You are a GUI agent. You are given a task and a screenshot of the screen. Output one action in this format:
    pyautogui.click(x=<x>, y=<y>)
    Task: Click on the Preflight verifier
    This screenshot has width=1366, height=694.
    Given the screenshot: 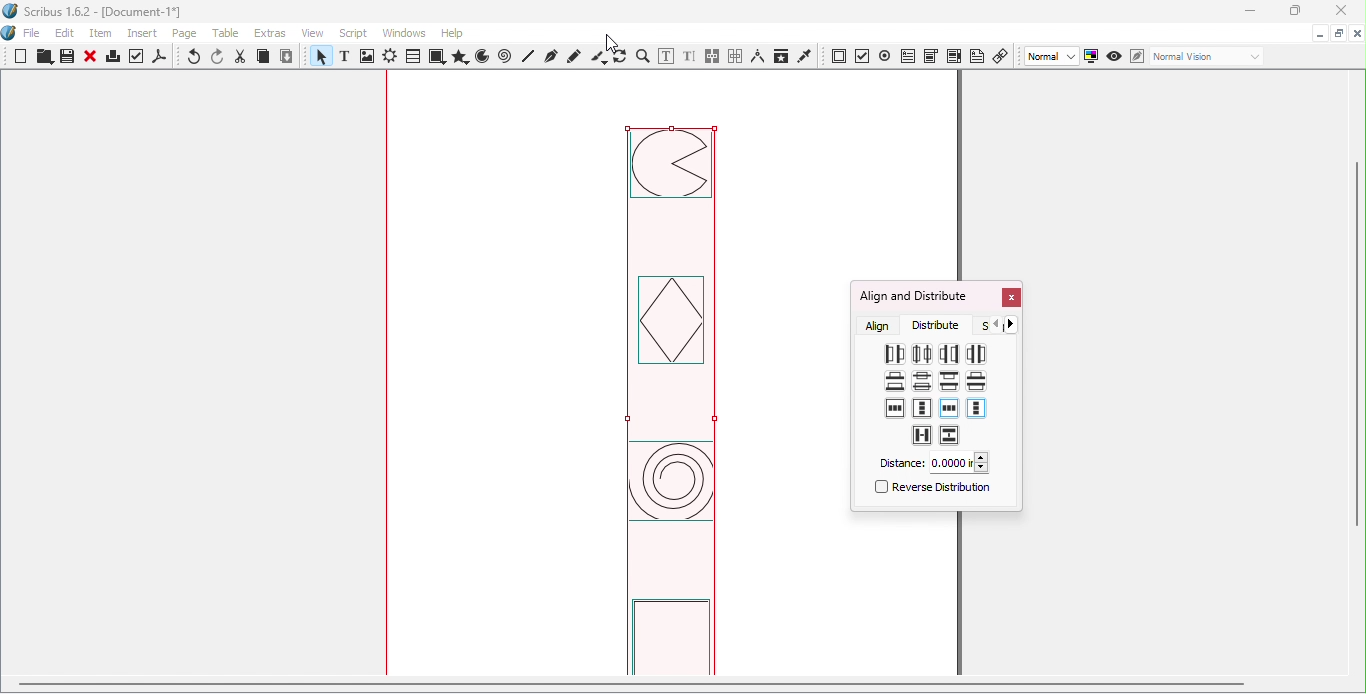 What is the action you would take?
    pyautogui.click(x=137, y=59)
    